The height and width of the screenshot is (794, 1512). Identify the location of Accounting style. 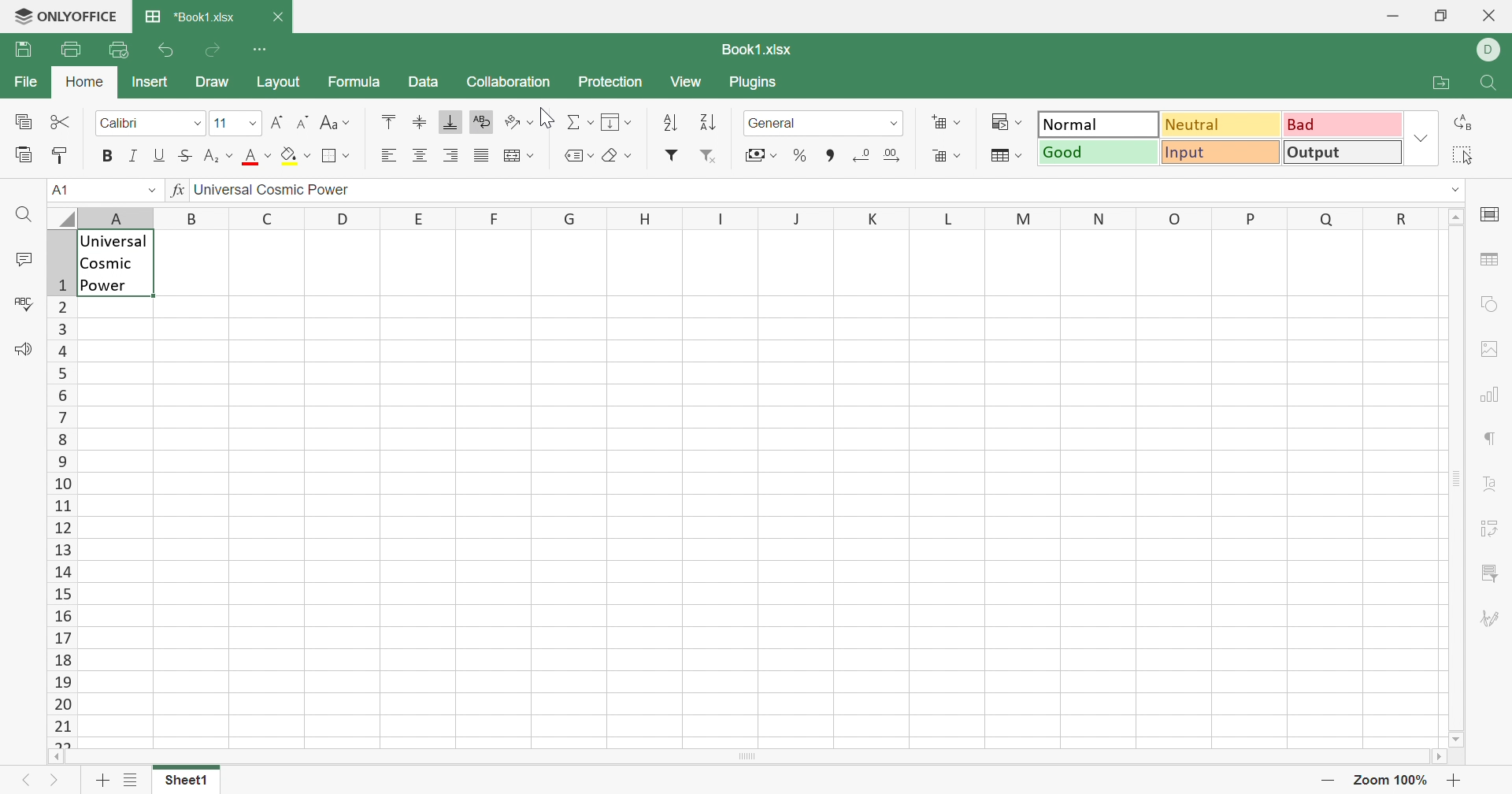
(760, 155).